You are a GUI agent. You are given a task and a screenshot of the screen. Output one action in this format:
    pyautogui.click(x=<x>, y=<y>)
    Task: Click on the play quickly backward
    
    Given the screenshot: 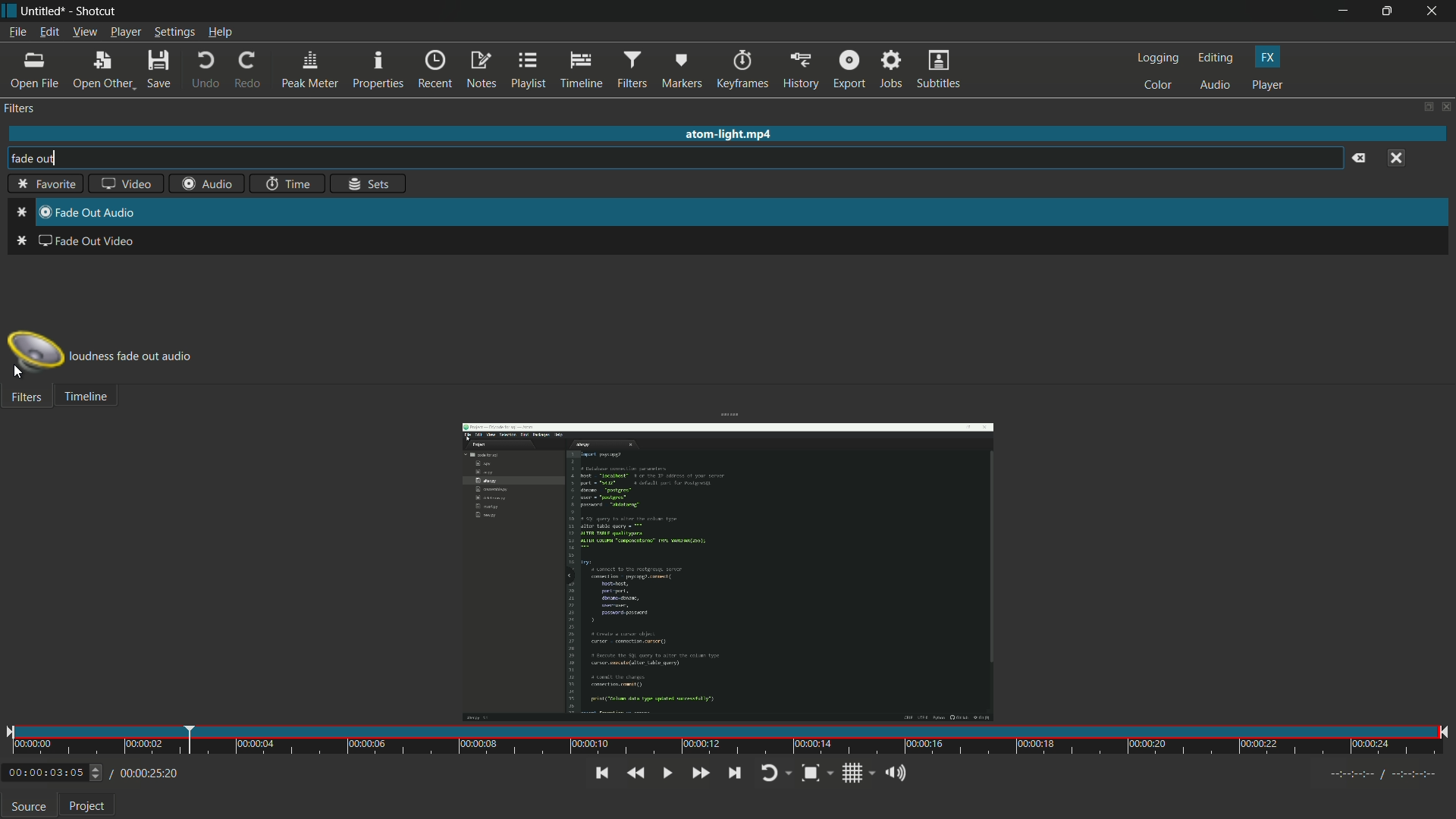 What is the action you would take?
    pyautogui.click(x=635, y=773)
    